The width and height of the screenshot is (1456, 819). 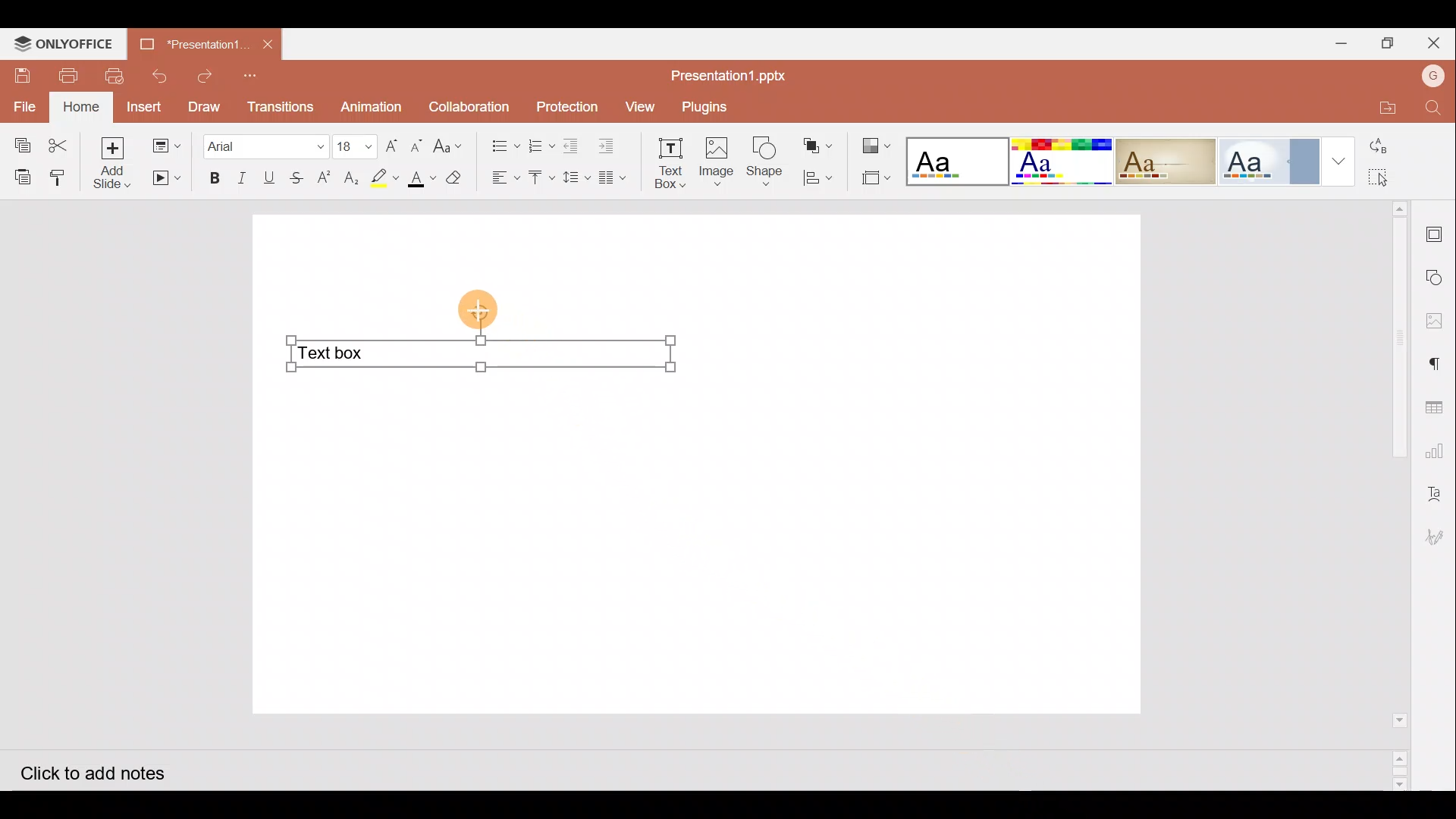 I want to click on Draw, so click(x=203, y=105).